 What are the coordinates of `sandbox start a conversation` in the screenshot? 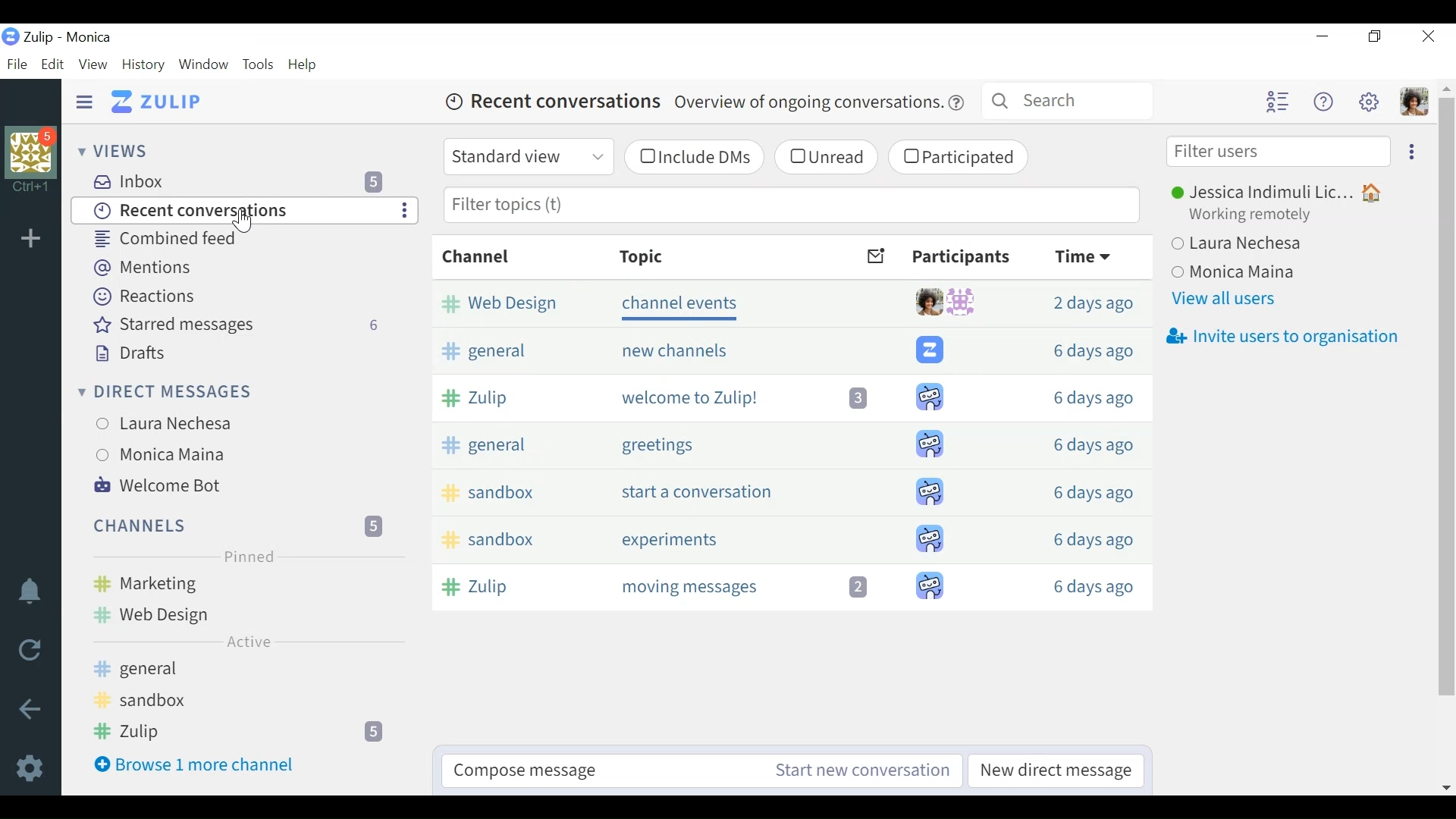 It's located at (790, 488).